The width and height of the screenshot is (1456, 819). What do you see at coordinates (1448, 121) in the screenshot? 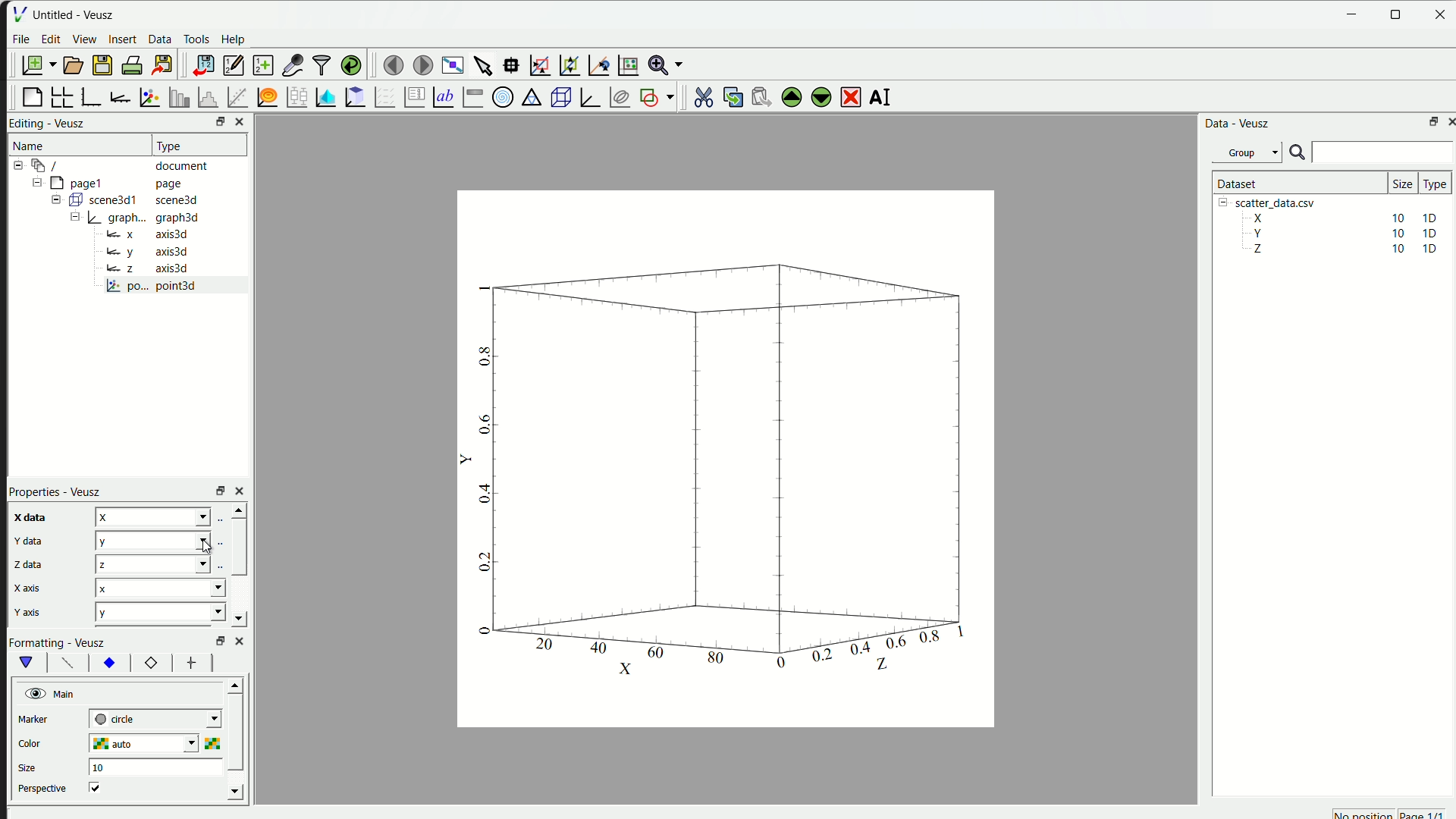
I see `close` at bounding box center [1448, 121].